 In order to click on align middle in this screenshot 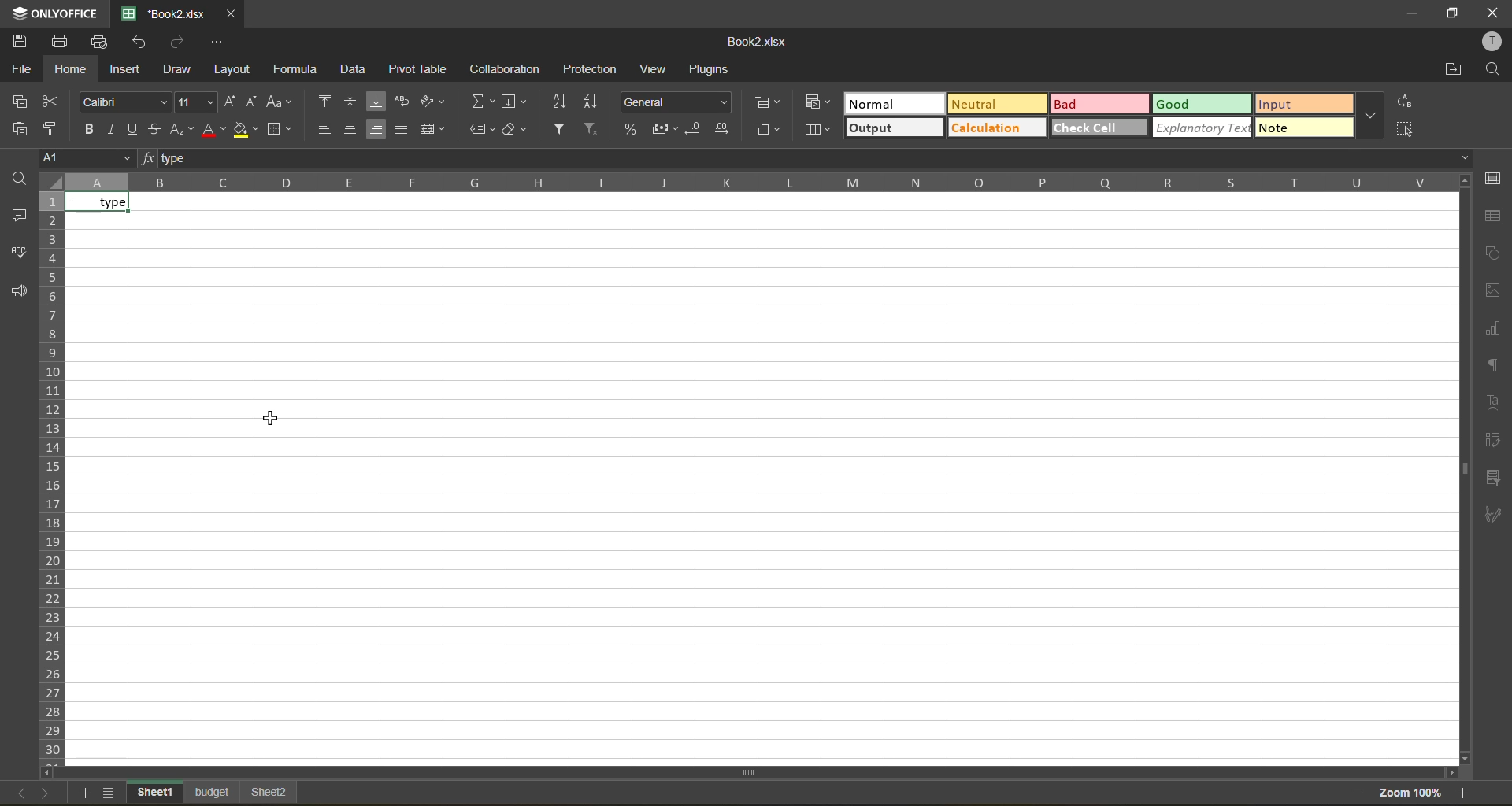, I will do `click(352, 131)`.